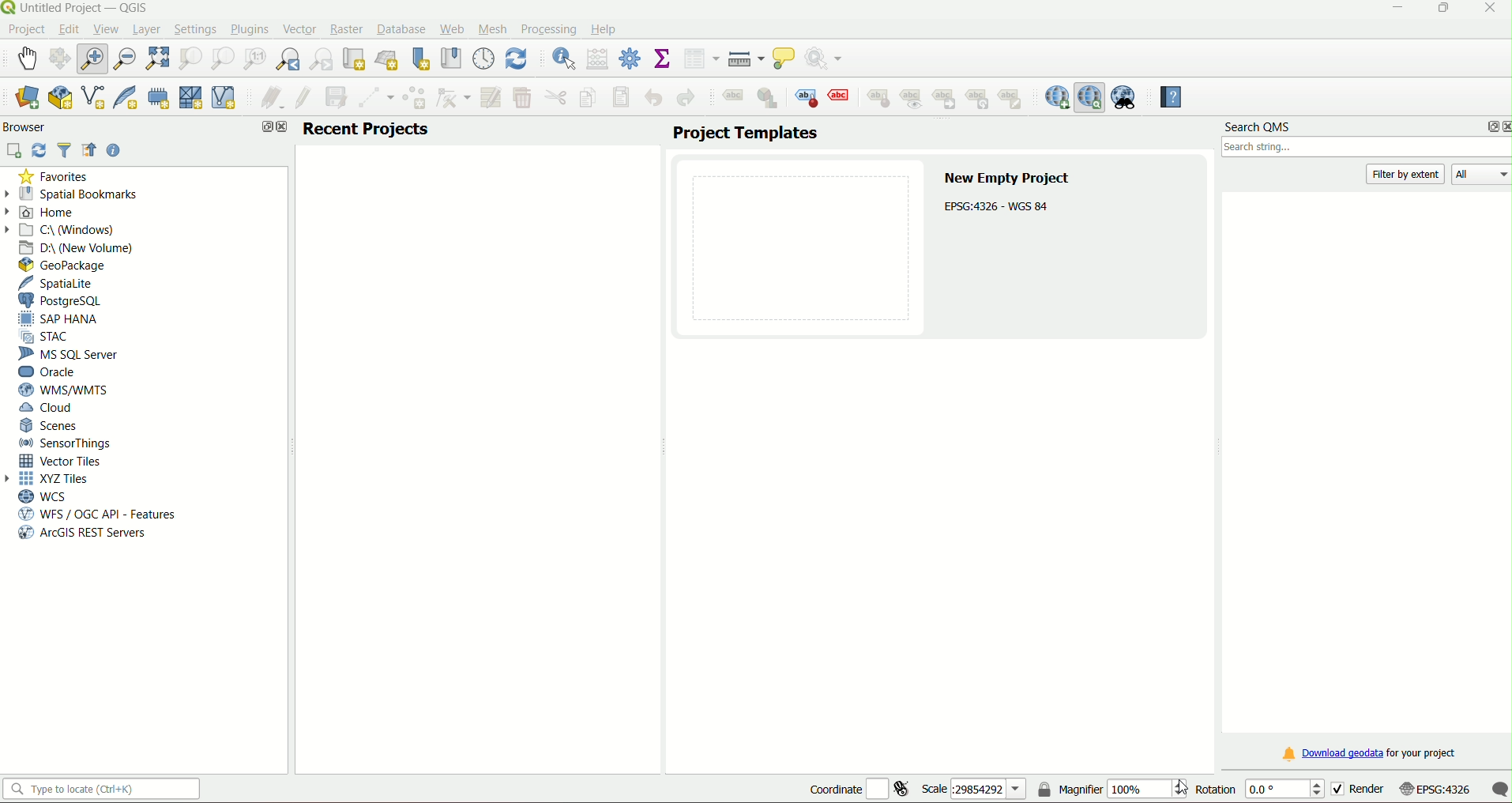  What do you see at coordinates (65, 300) in the screenshot?
I see `PostGre SQL` at bounding box center [65, 300].